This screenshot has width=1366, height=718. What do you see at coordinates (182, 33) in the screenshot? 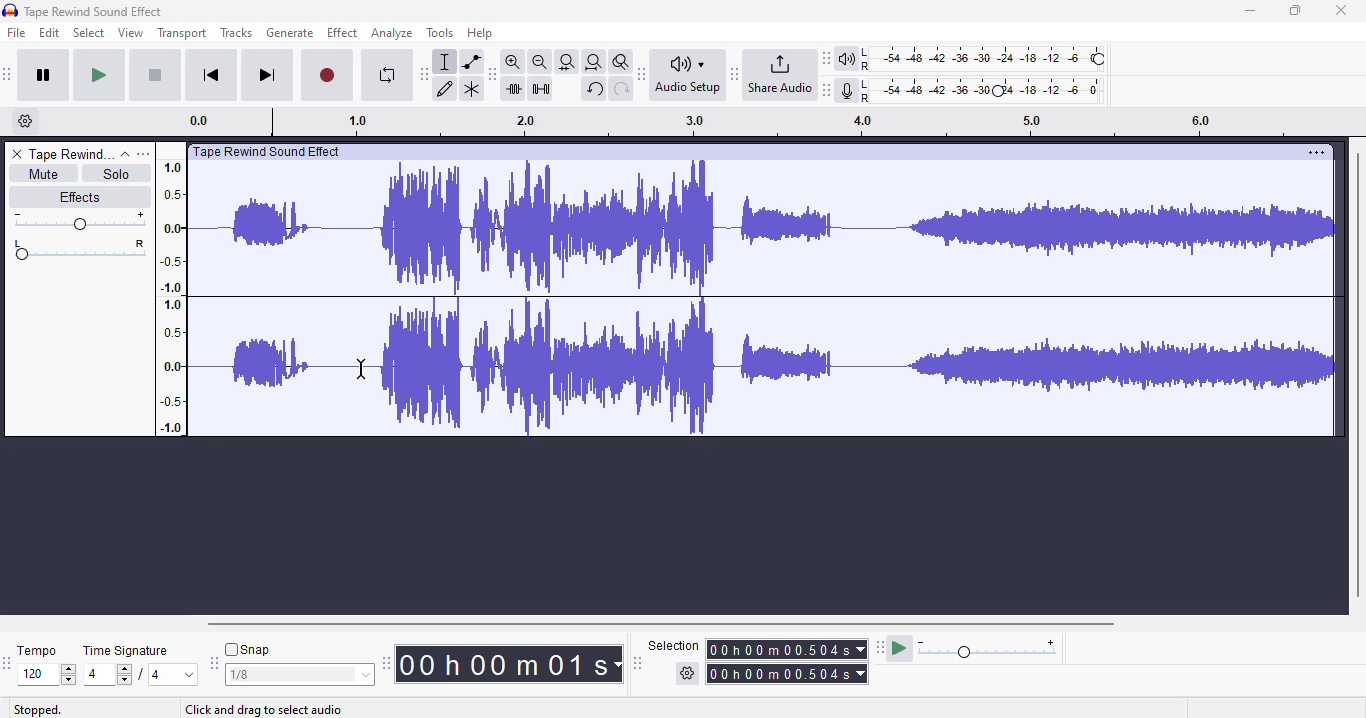
I see `transport` at bounding box center [182, 33].